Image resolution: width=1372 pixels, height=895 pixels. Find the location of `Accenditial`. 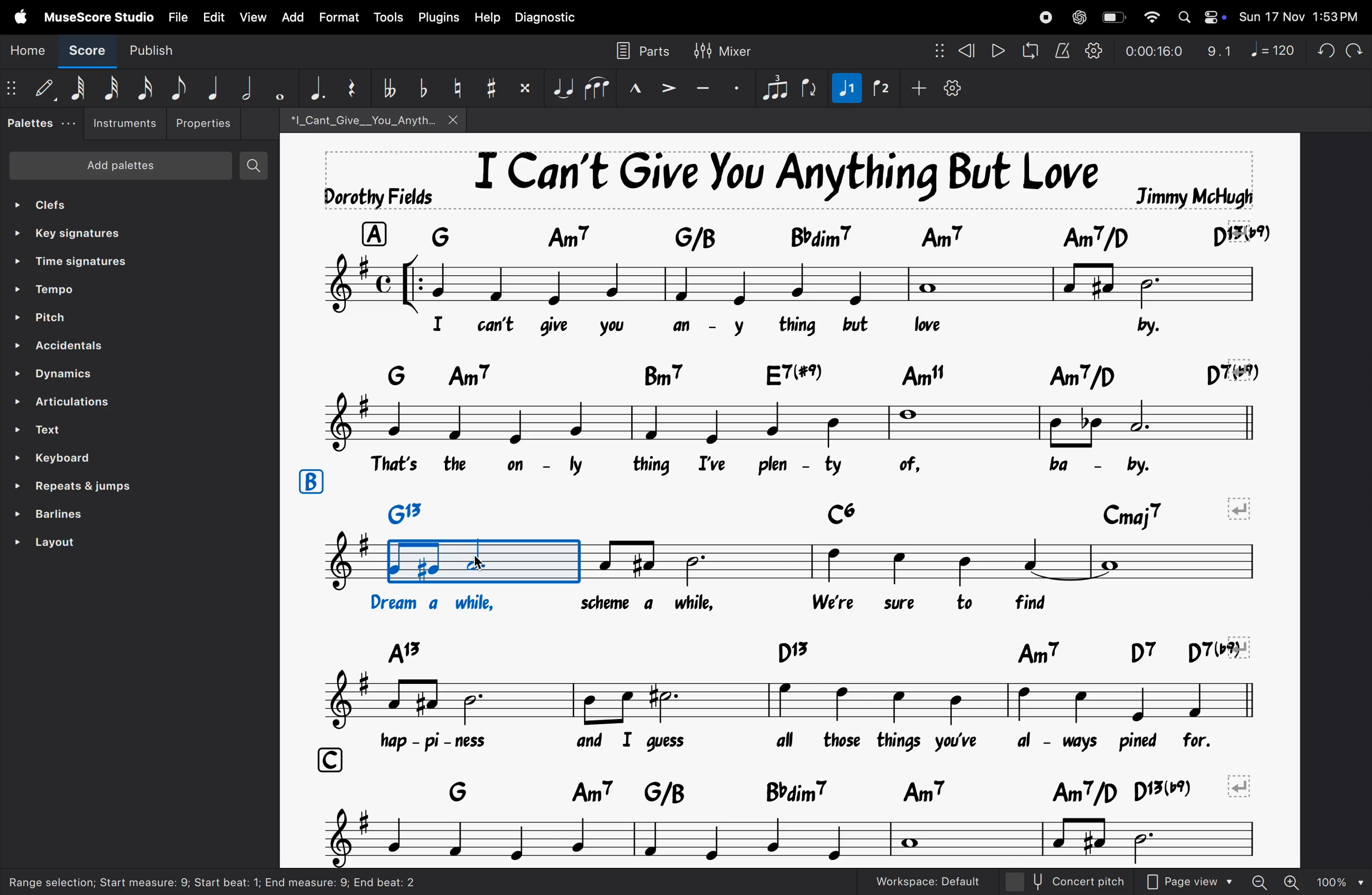

Accenditial is located at coordinates (61, 345).